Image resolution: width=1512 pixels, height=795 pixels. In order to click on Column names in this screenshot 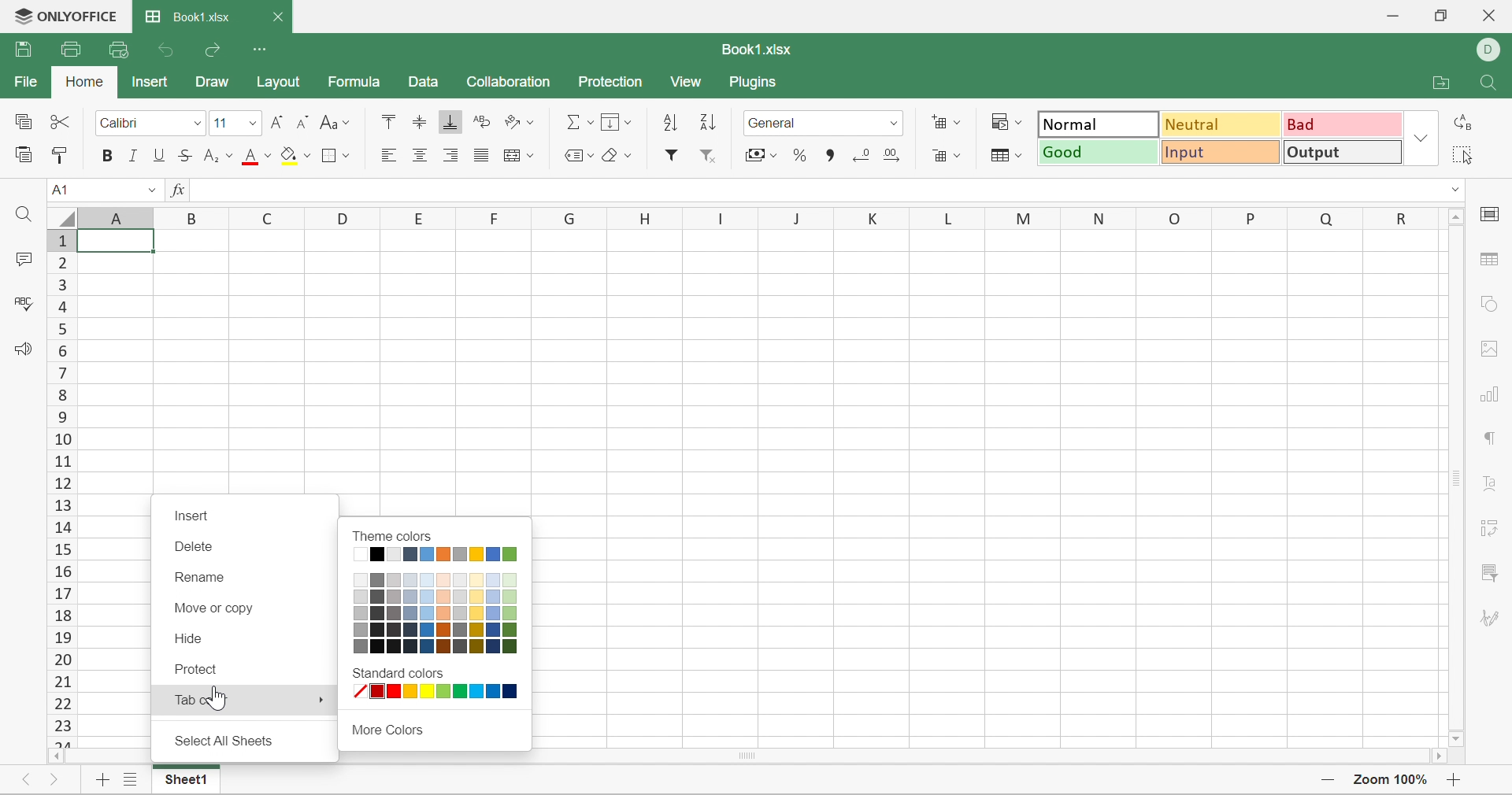, I will do `click(117, 217)`.